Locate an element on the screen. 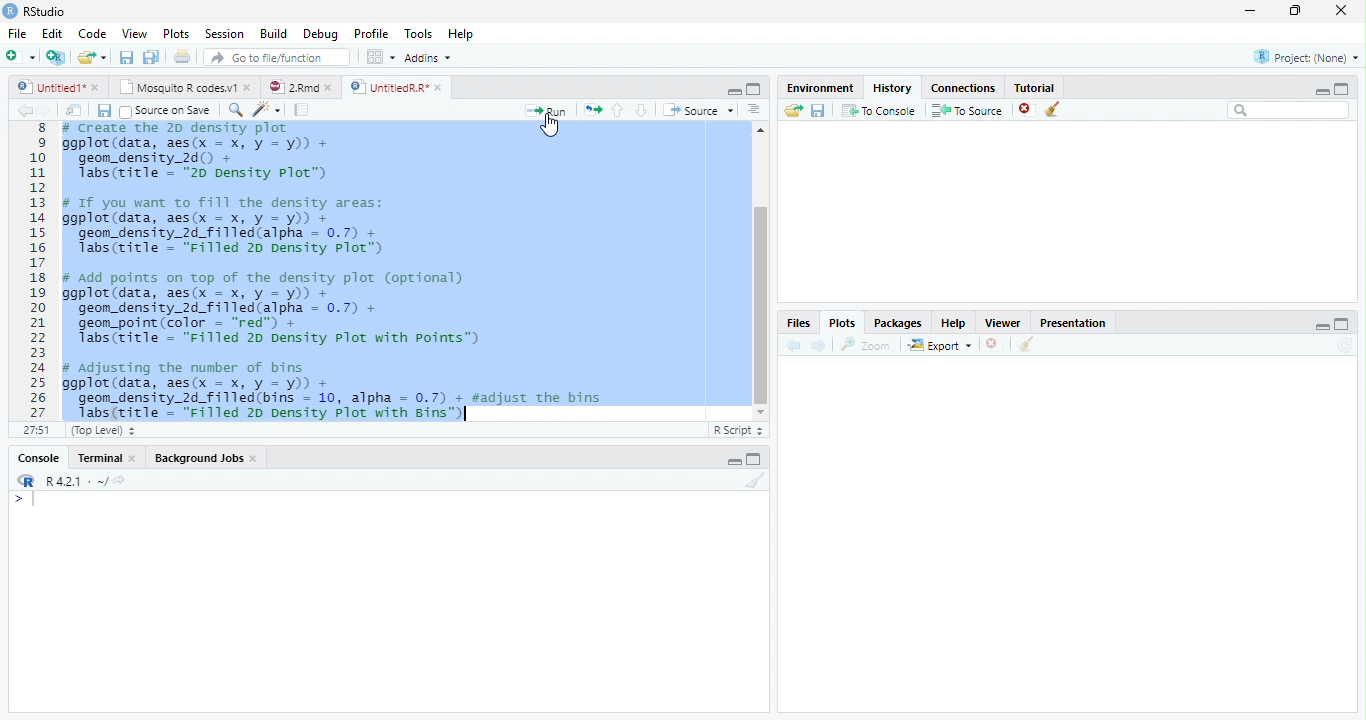 The image size is (1366, 720). save all open document is located at coordinates (151, 56).